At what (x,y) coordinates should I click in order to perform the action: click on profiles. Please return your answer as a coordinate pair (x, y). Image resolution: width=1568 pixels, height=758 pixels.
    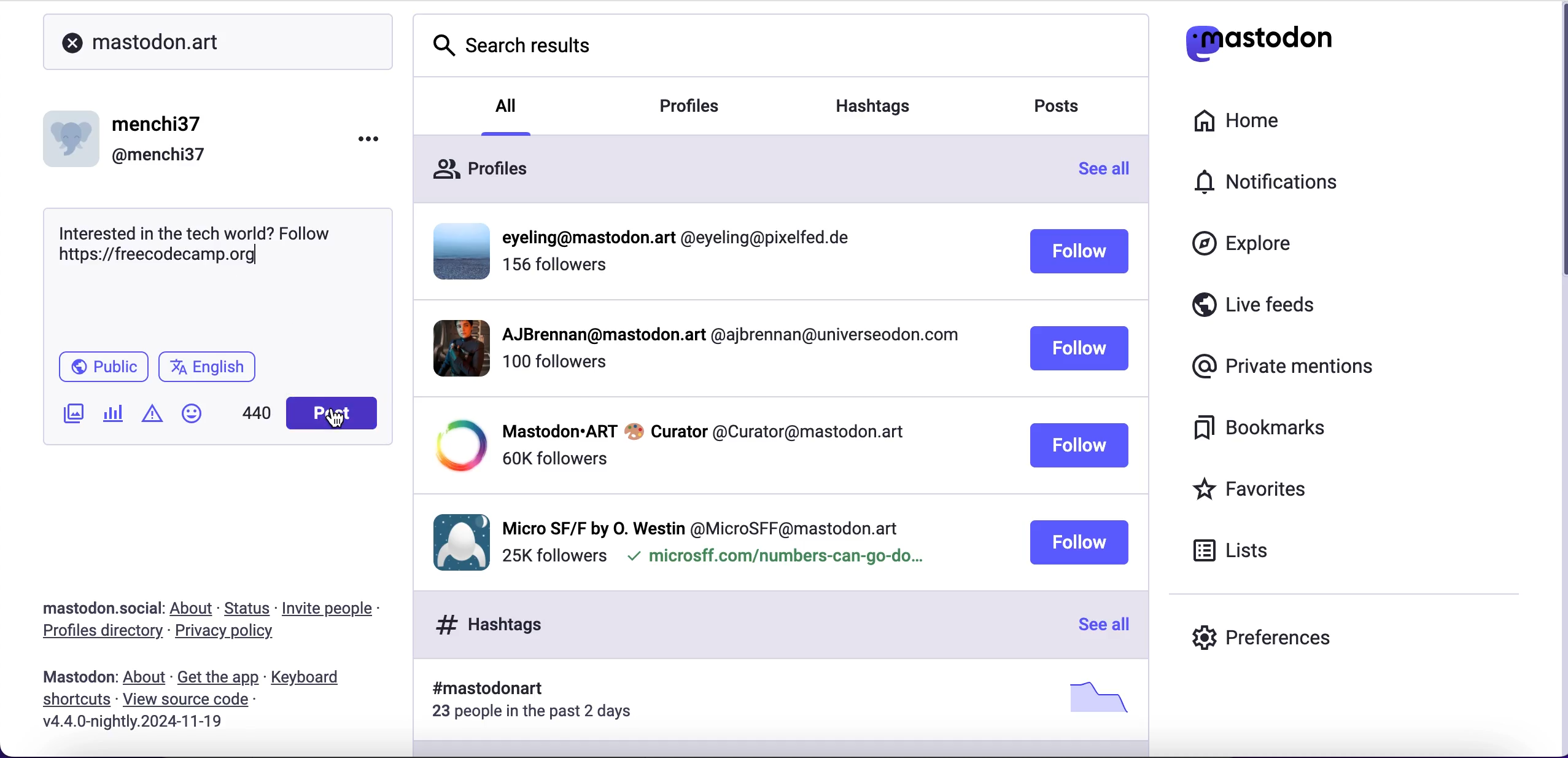
    Looking at the image, I should click on (747, 168).